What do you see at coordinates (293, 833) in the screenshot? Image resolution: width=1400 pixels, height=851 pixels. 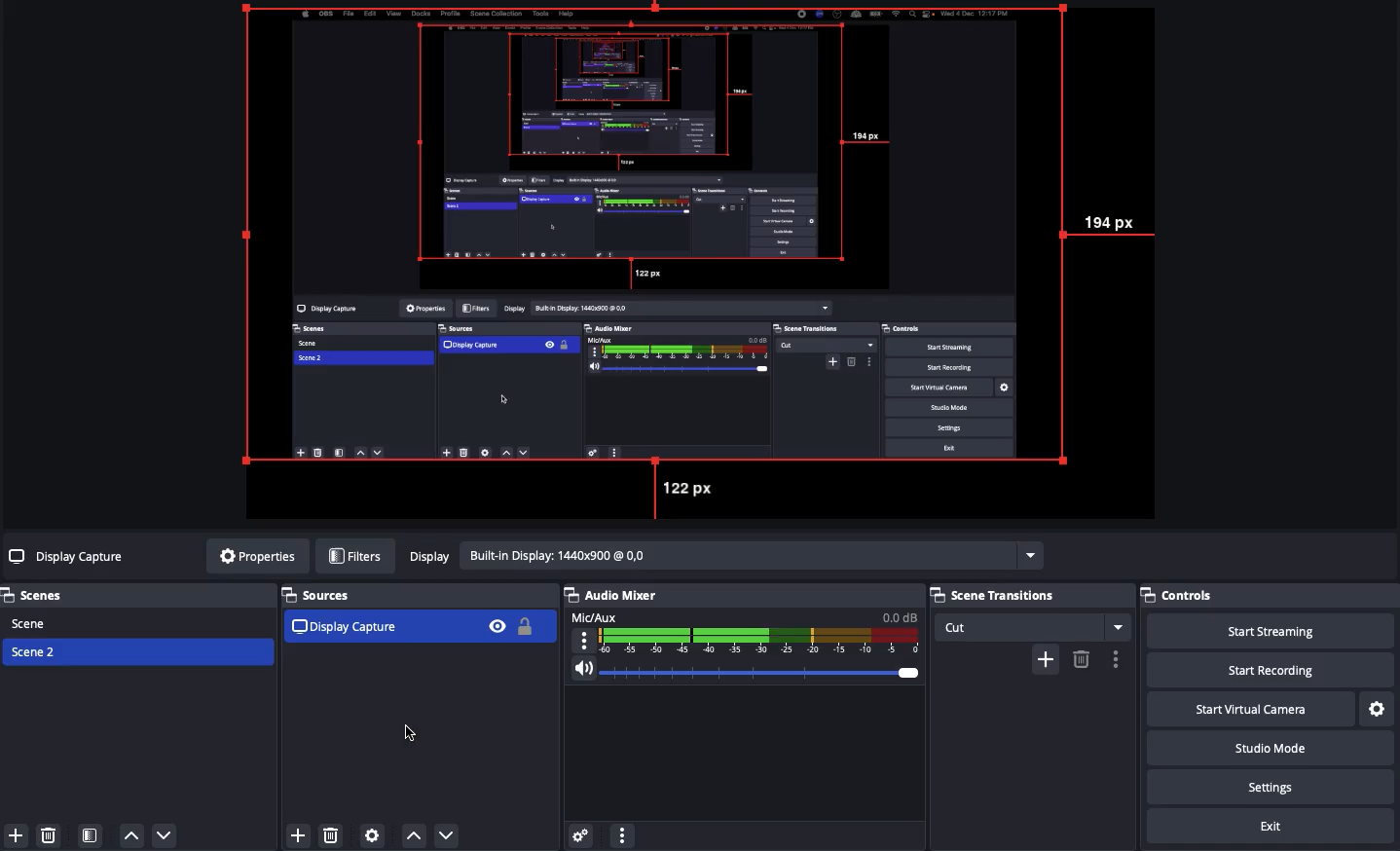 I see `add` at bounding box center [293, 833].